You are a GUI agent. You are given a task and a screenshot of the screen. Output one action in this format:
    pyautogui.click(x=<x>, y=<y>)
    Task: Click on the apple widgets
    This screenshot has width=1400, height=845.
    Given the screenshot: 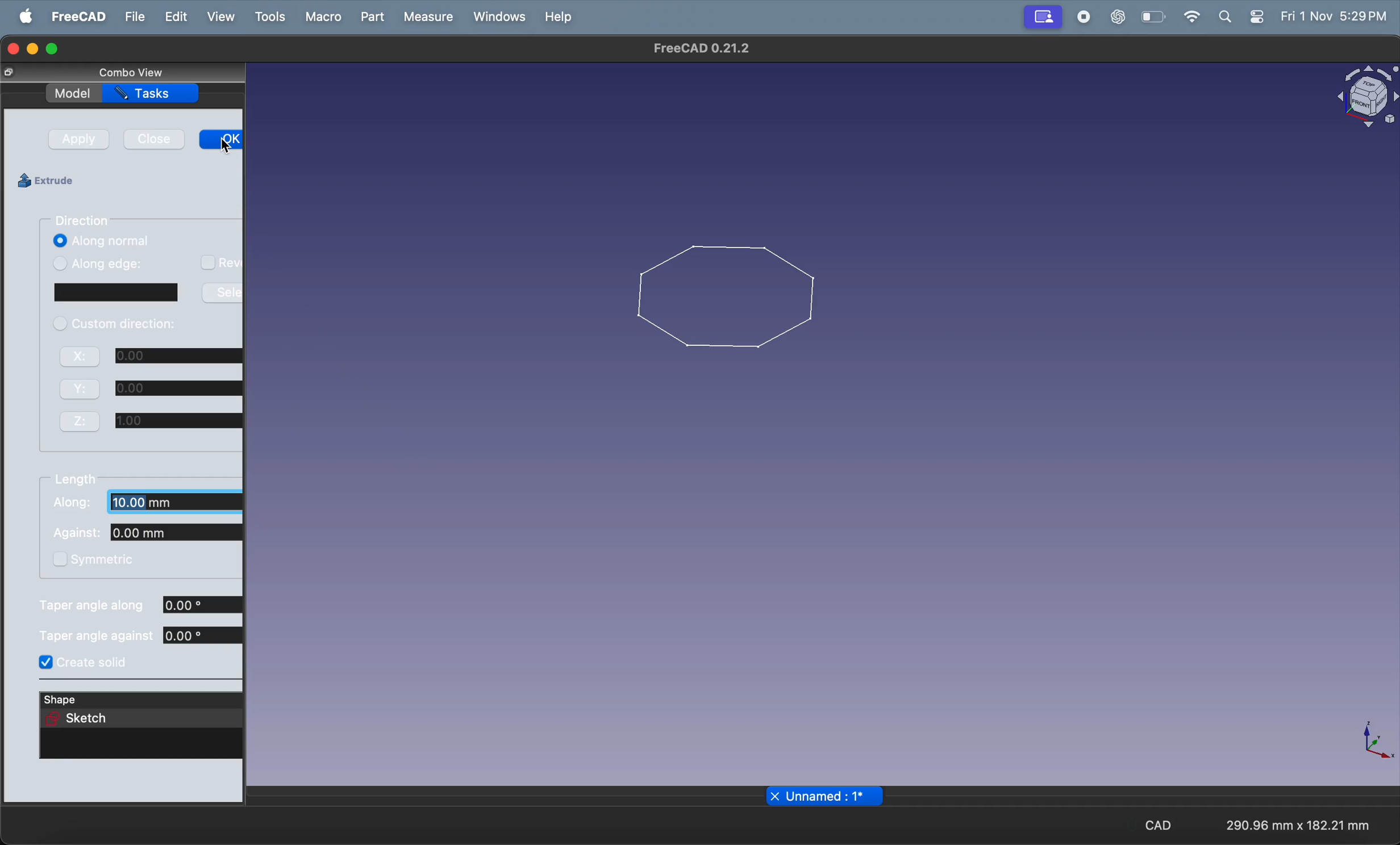 What is the action you would take?
    pyautogui.click(x=1237, y=16)
    